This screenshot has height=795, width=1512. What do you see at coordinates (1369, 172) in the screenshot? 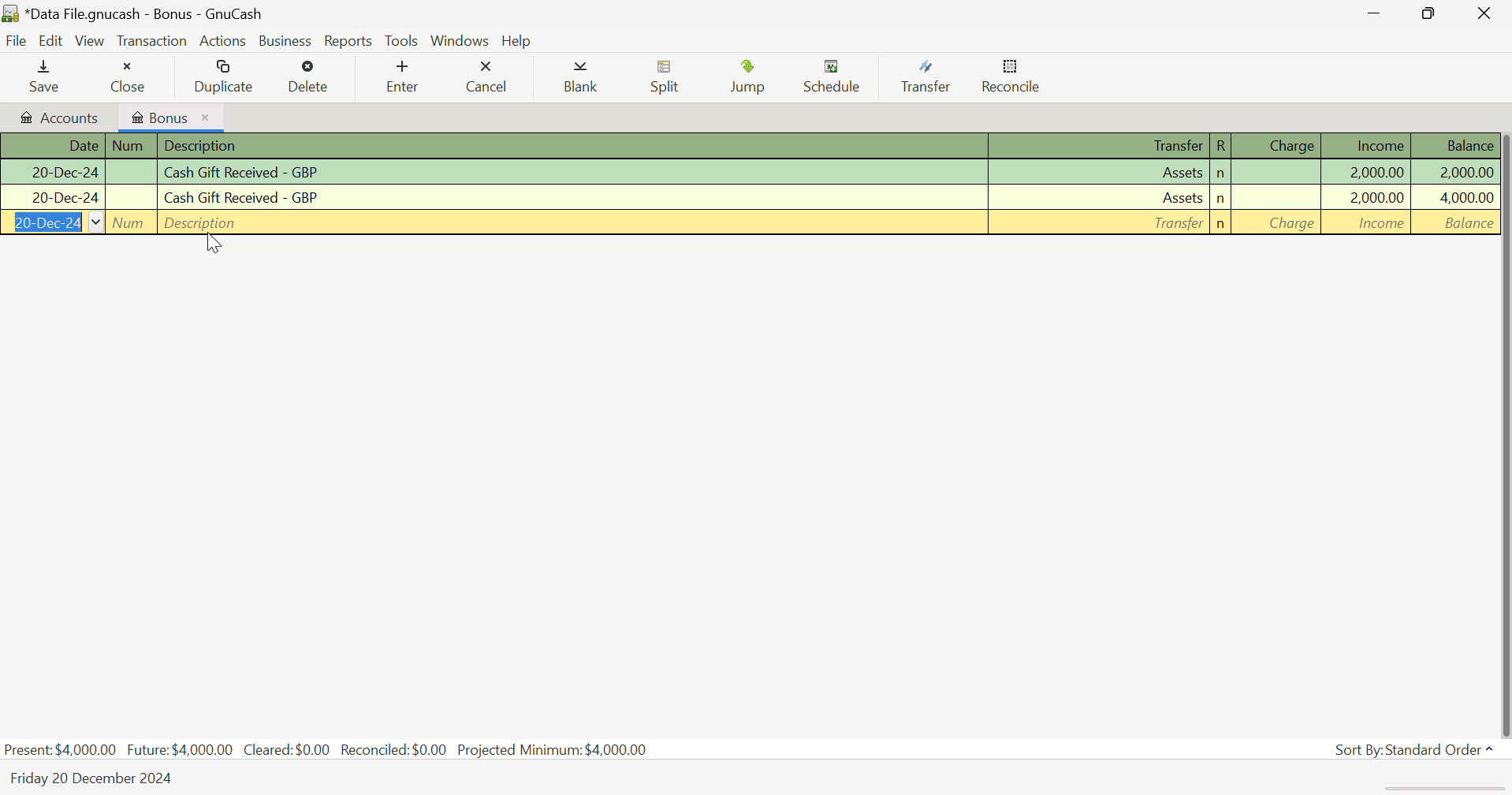
I see `Income` at bounding box center [1369, 172].